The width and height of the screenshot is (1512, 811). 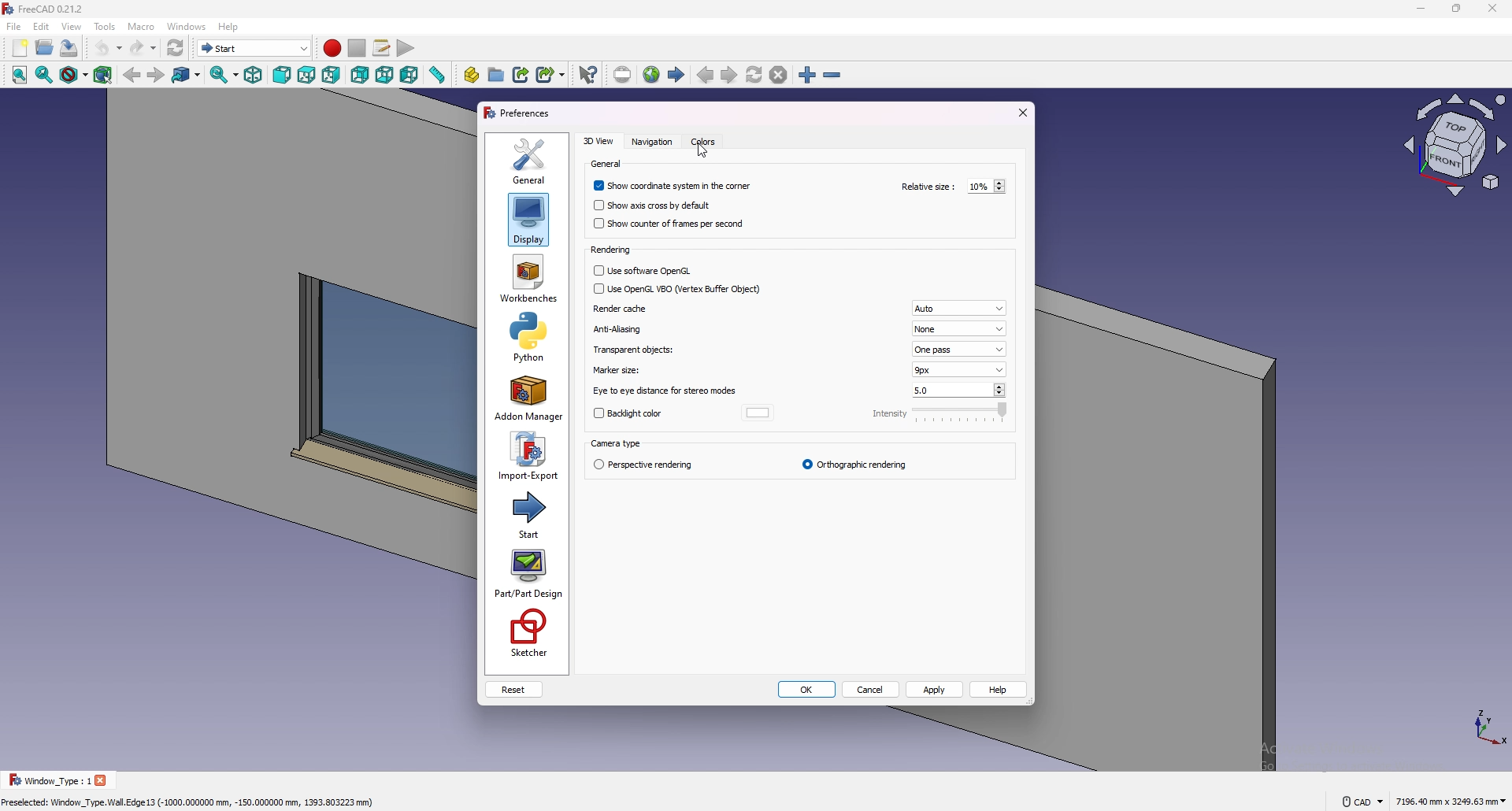 What do you see at coordinates (405, 50) in the screenshot?
I see `execute macro` at bounding box center [405, 50].